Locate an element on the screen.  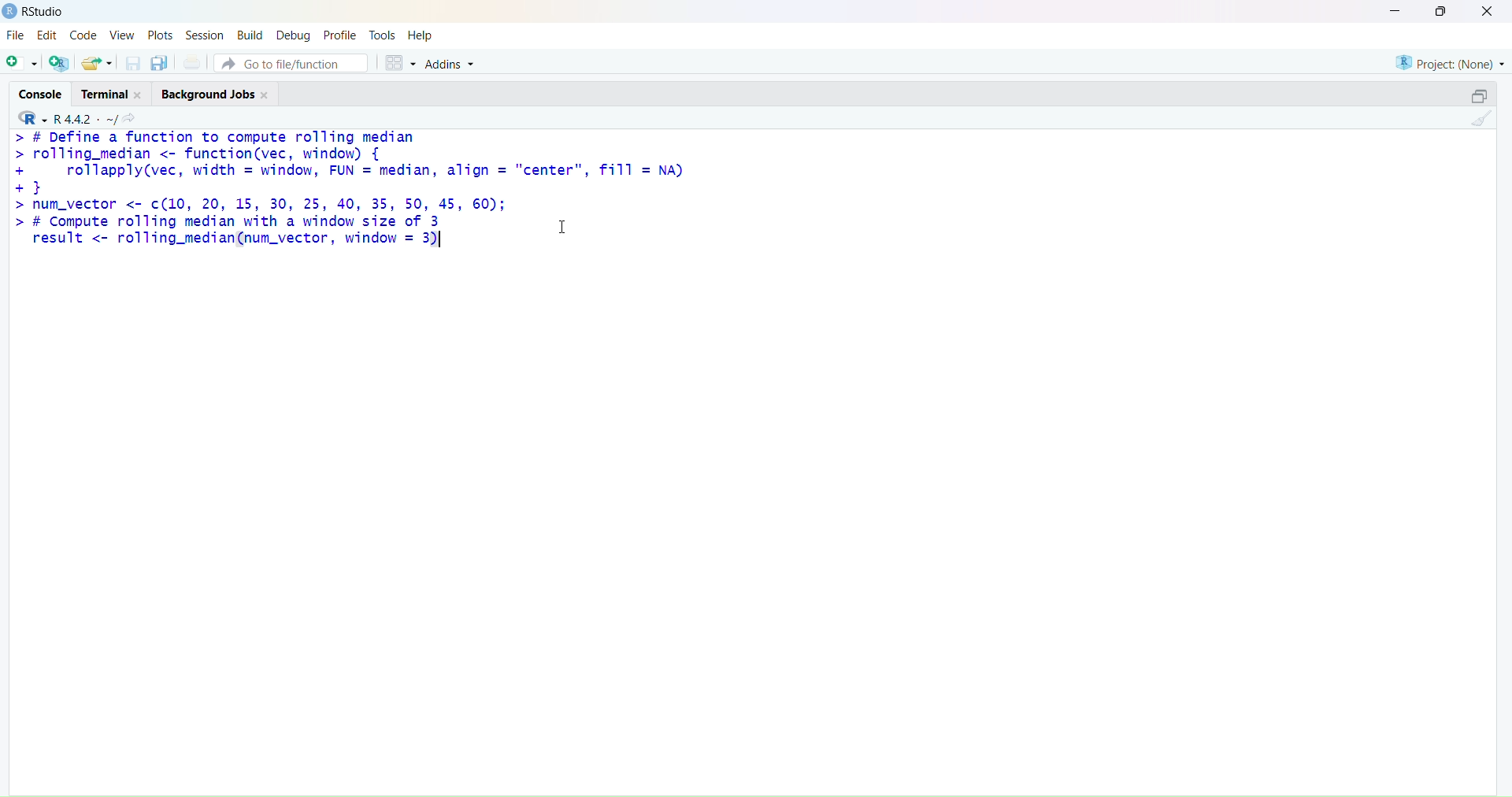
plots is located at coordinates (162, 35).